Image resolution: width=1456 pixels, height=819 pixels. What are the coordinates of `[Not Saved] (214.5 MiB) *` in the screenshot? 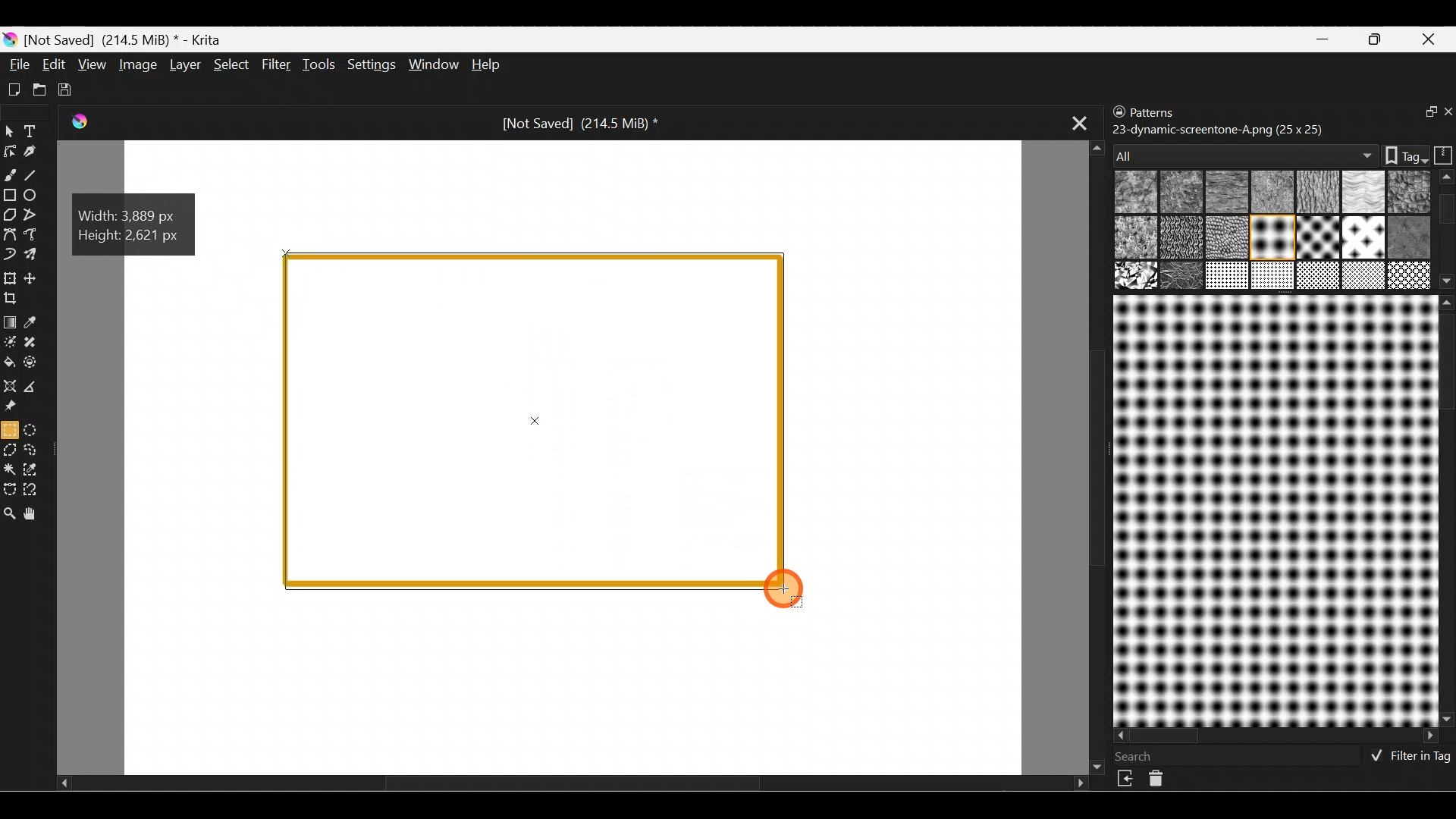 It's located at (579, 124).